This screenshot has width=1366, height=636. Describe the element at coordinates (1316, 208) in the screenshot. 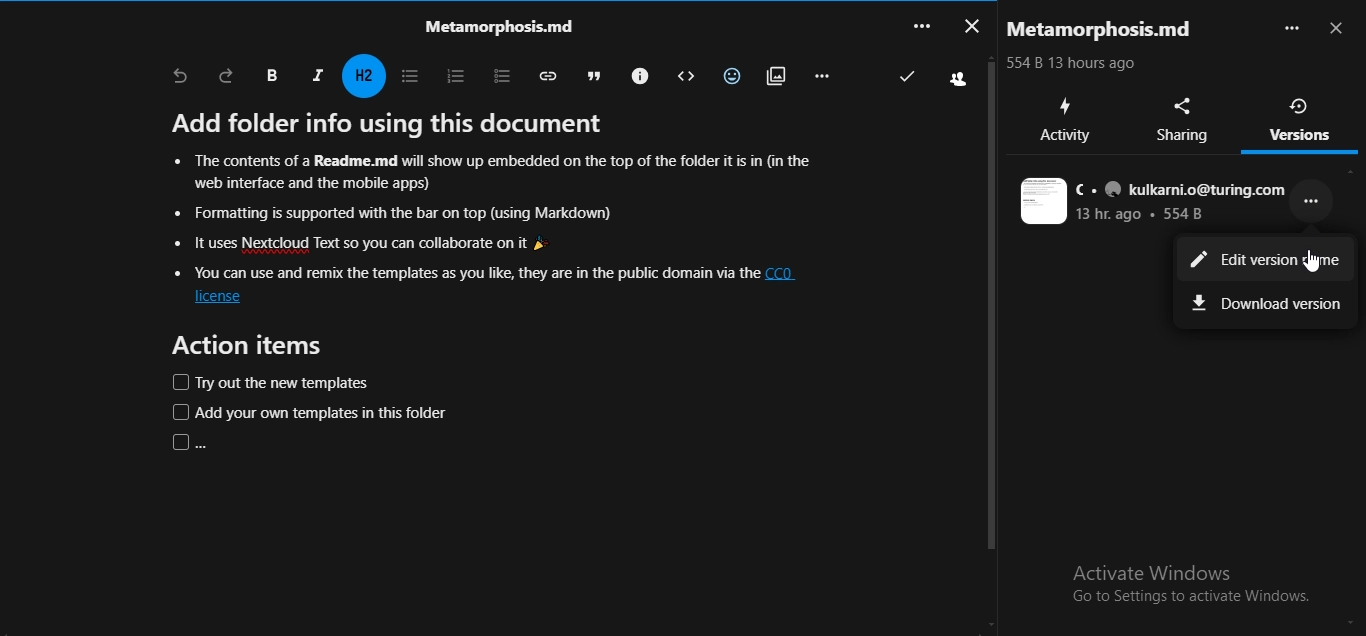

I see `more options` at that location.